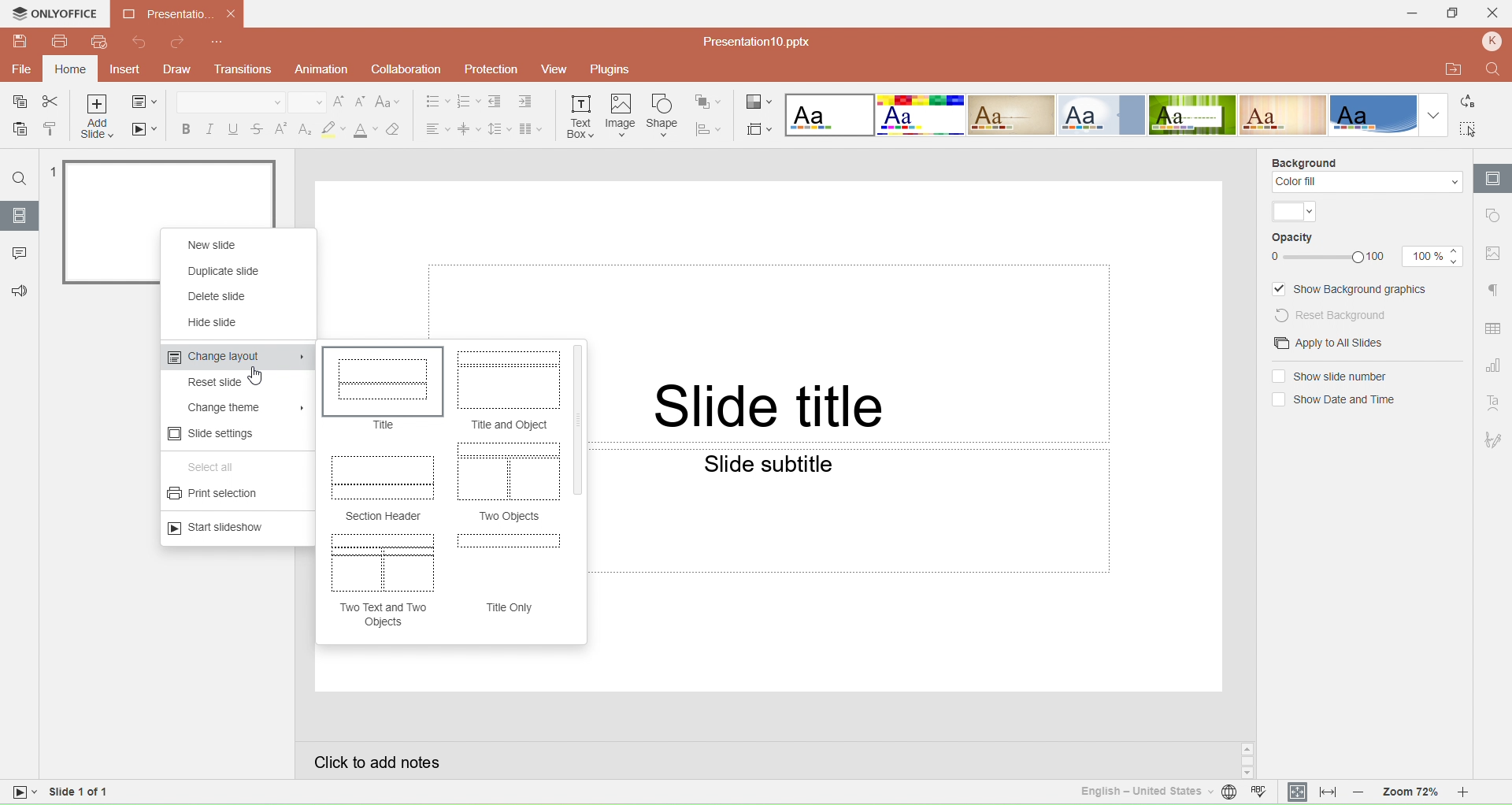  I want to click on Blank, so click(828, 115).